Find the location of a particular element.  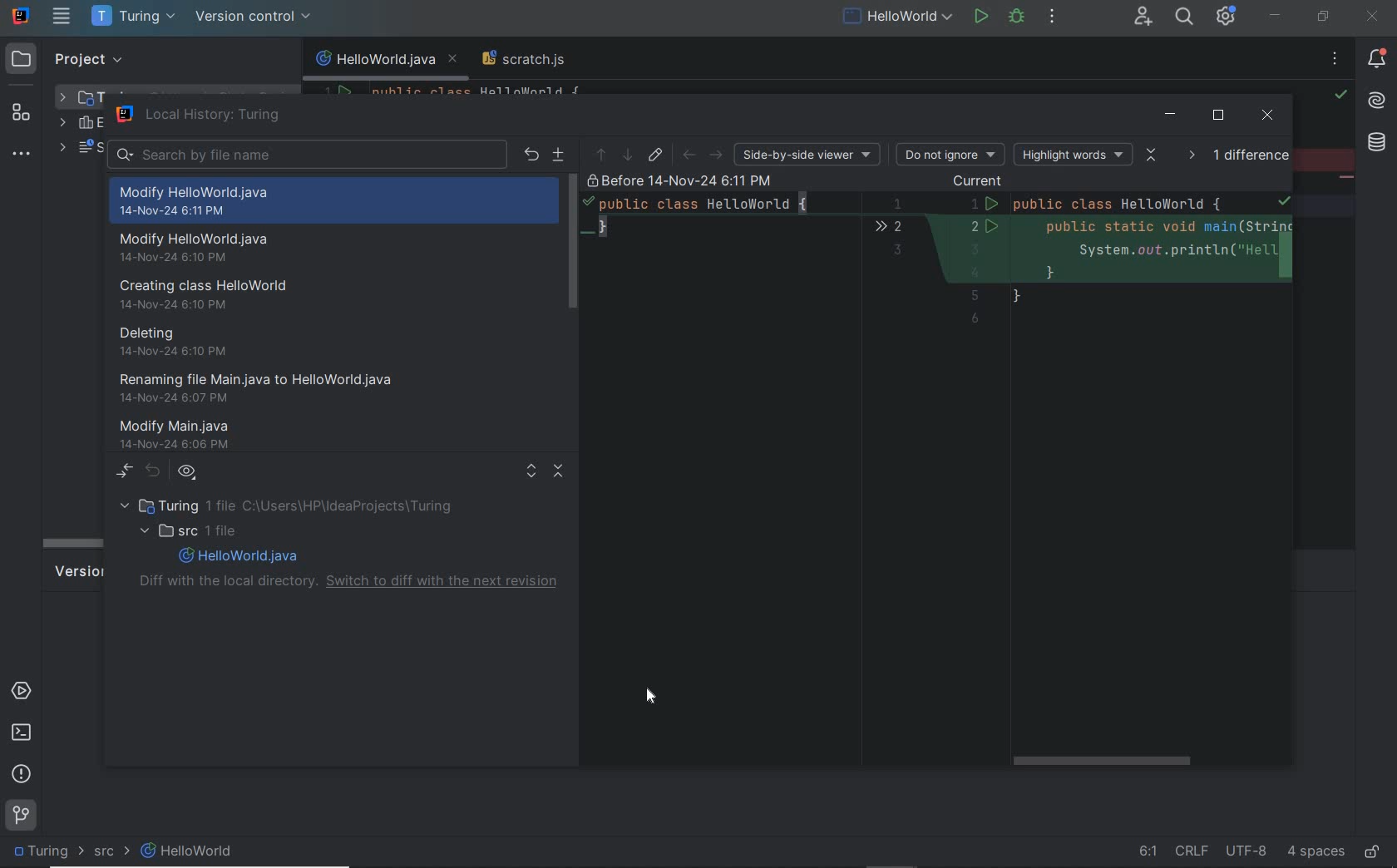

structure is located at coordinates (20, 113).